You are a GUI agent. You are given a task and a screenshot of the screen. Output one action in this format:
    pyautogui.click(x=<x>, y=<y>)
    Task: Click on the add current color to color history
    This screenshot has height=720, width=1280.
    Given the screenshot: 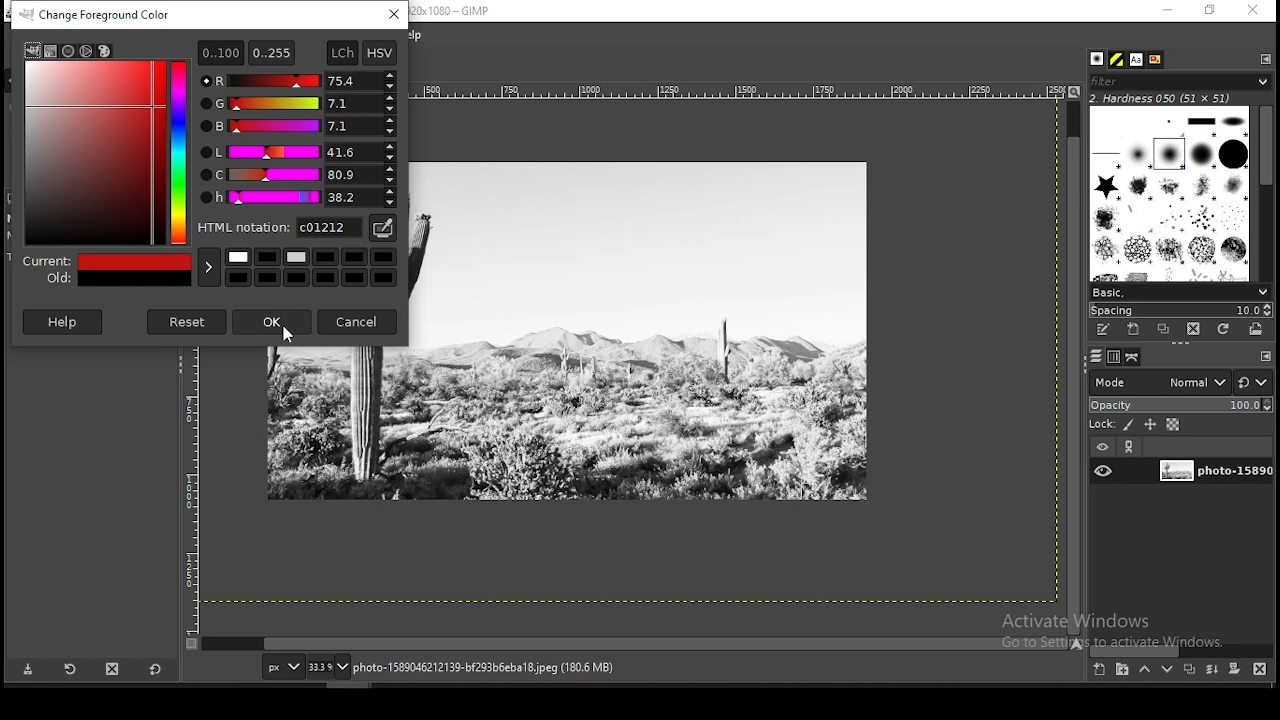 What is the action you would take?
    pyautogui.click(x=208, y=268)
    